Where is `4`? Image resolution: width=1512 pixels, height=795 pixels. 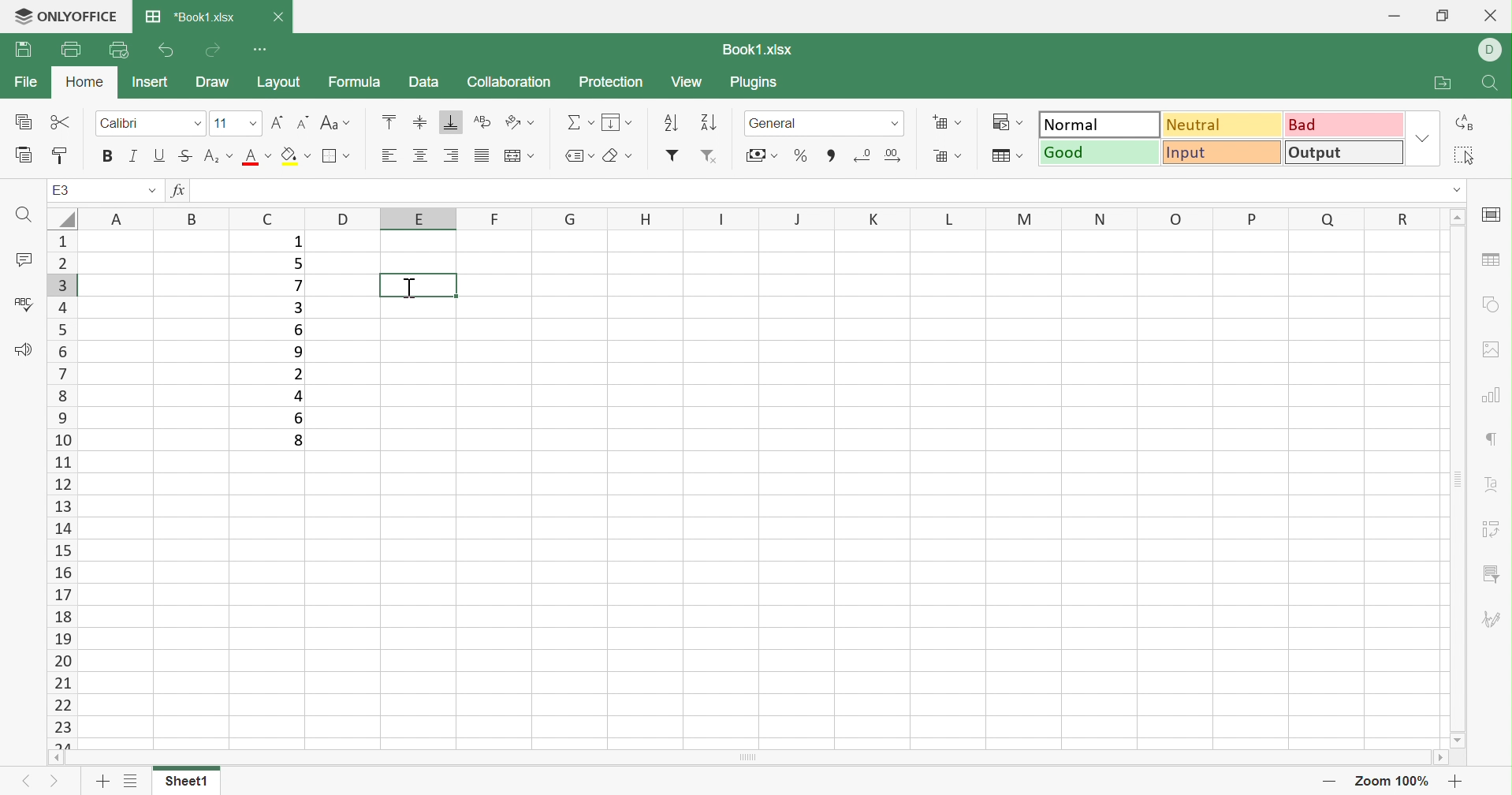
4 is located at coordinates (296, 397).